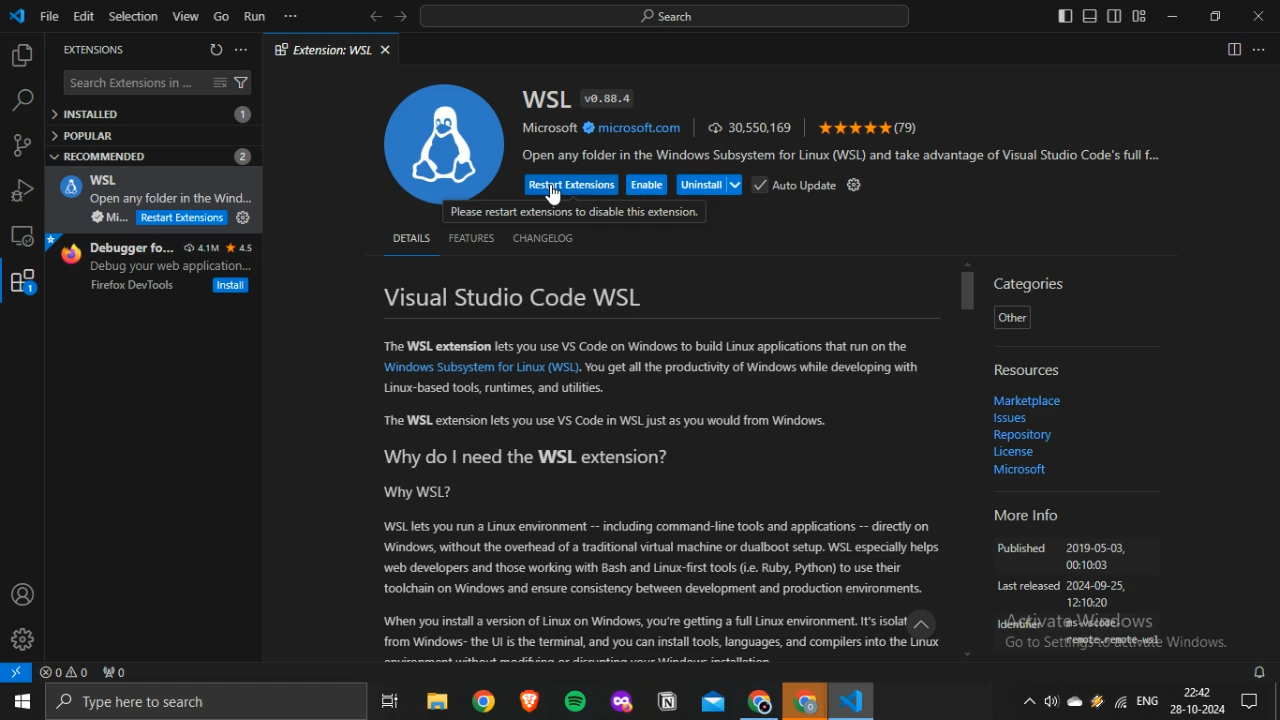  Describe the element at coordinates (662, 559) in the screenshot. I see `WSL lets you run a Linux environment -- including command-line tools and applications -- directly on
‘Windows, without the overhead of a traditional virtual machine or dualboot setup. WSL especially helps.
‘web developers and those working with Bash and Linux-first tools (i. Ruby, Python) to use their
‘tookhain on Windows and ensure consistency between development and production environments.` at that location.